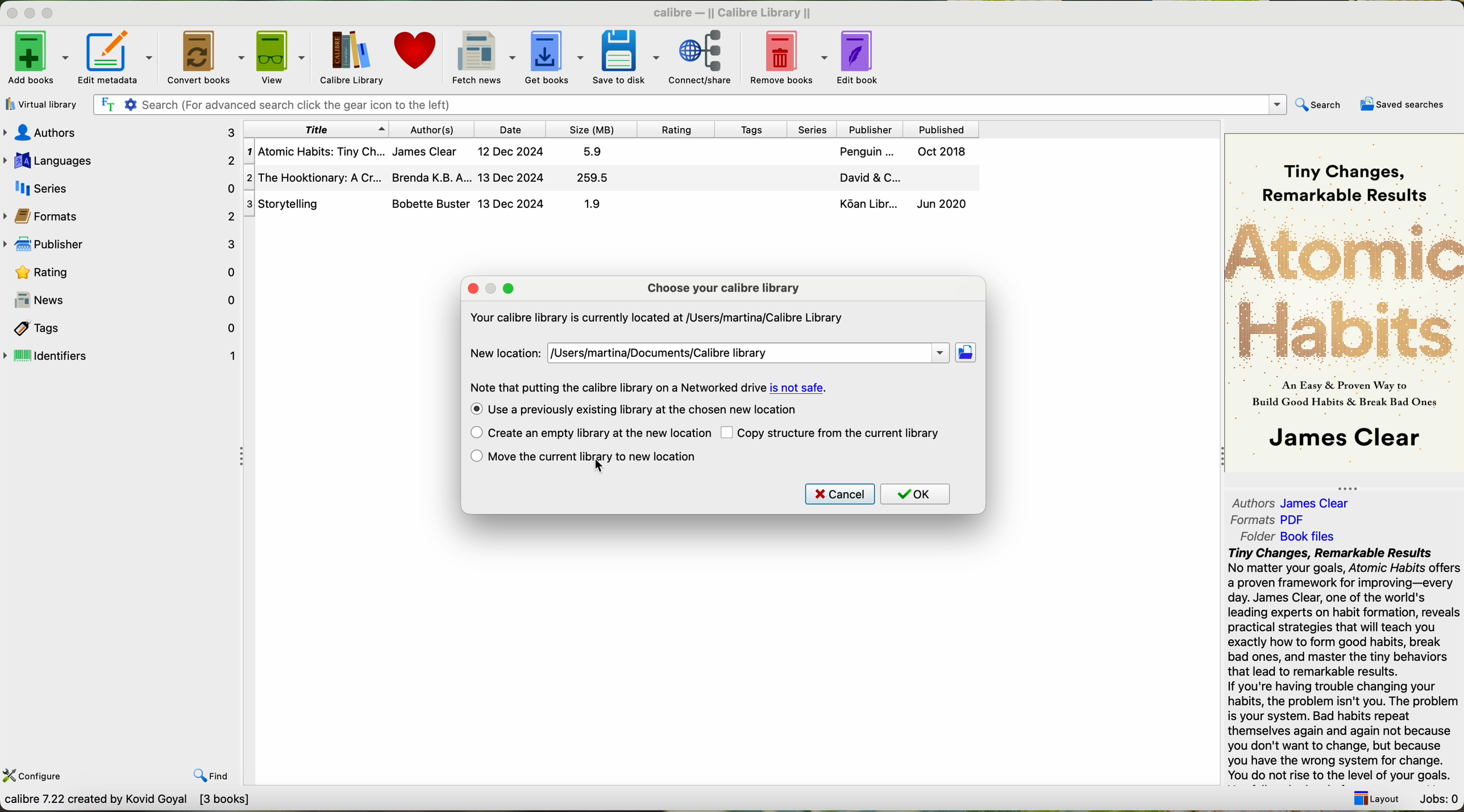 This screenshot has width=1464, height=812. Describe the element at coordinates (492, 288) in the screenshot. I see `minimize` at that location.